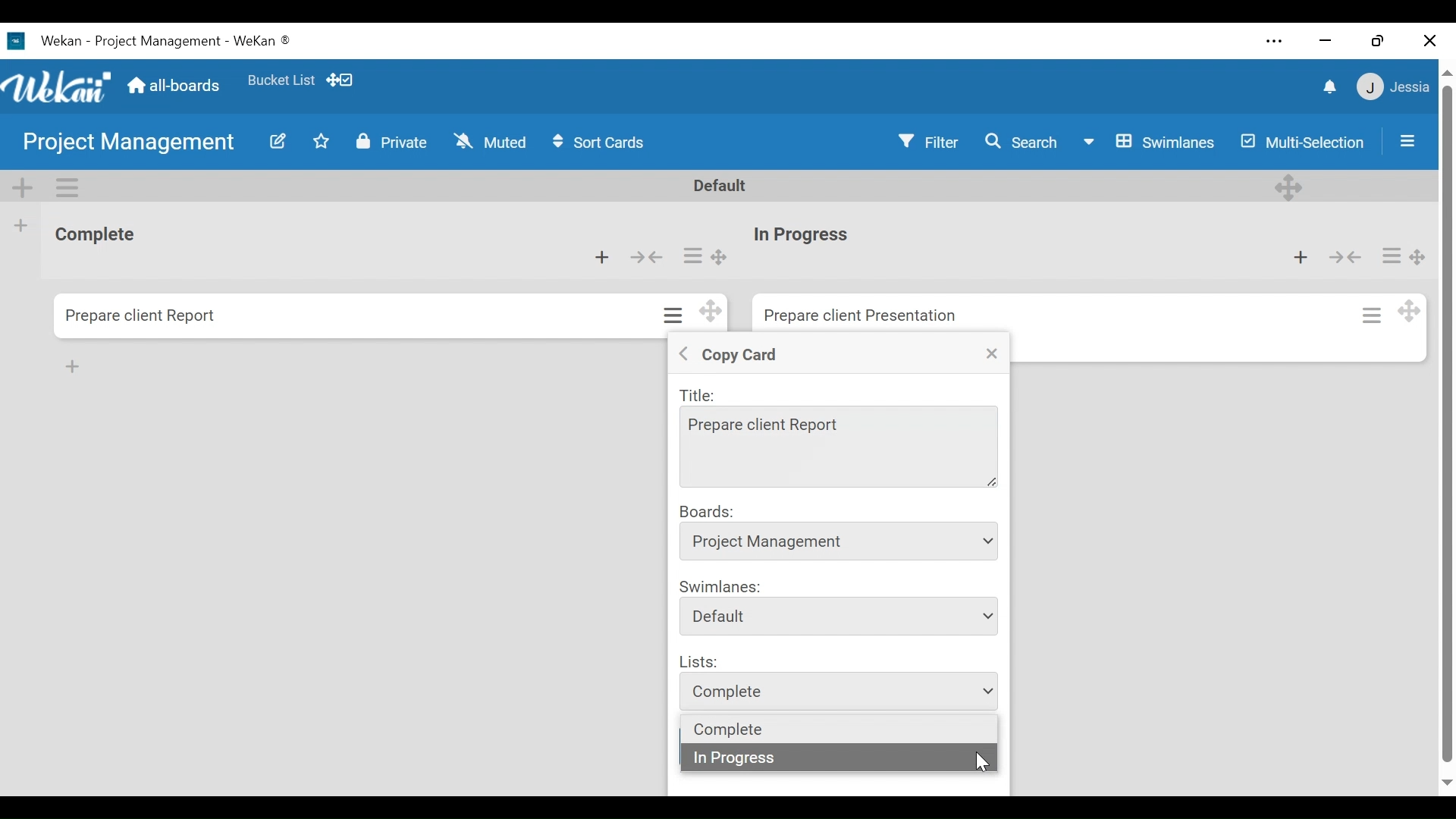 The height and width of the screenshot is (819, 1456). I want to click on Title, so click(702, 394).